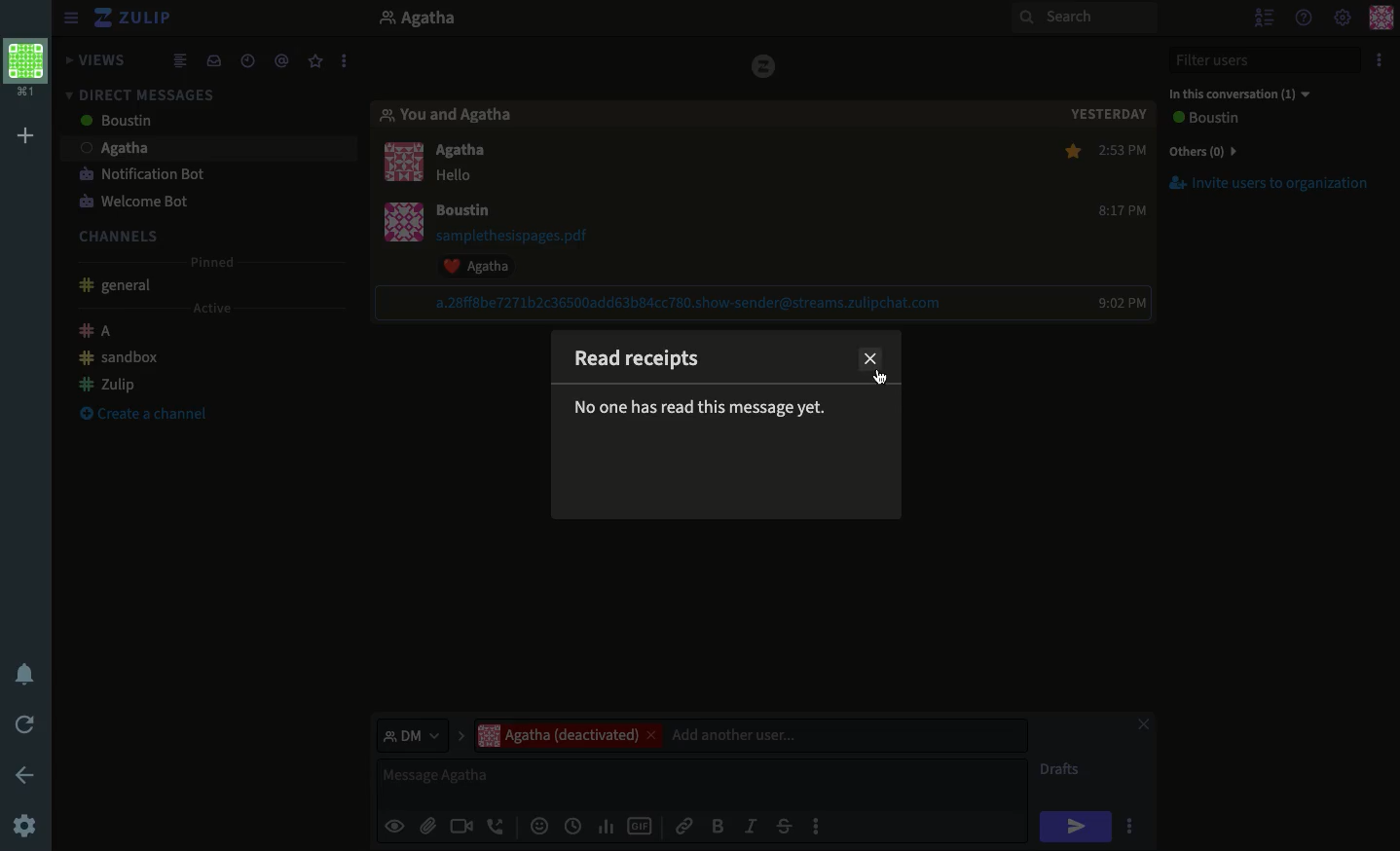 The image size is (1400, 851). What do you see at coordinates (607, 827) in the screenshot?
I see `Chart` at bounding box center [607, 827].